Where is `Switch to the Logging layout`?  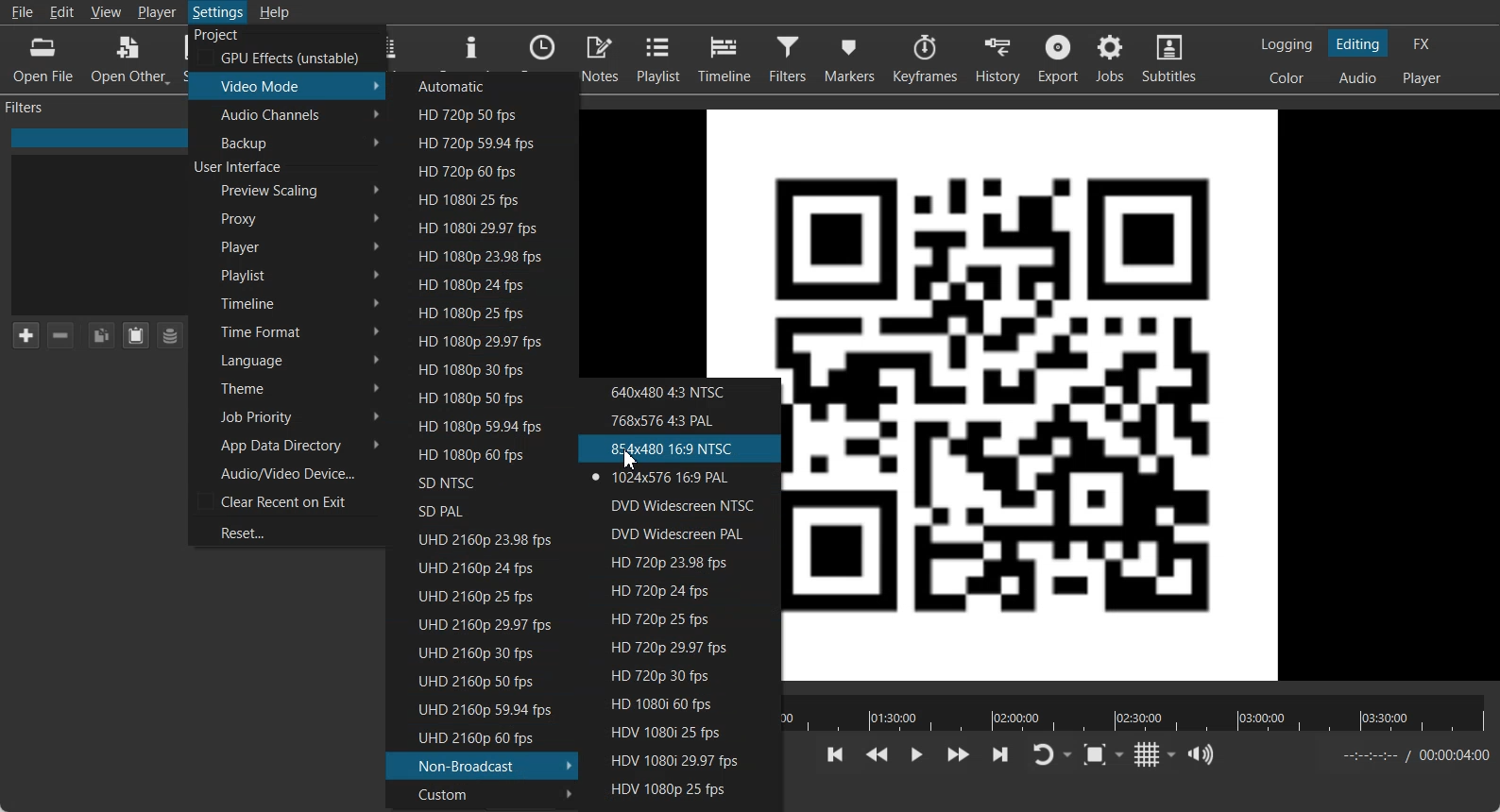
Switch to the Logging layout is located at coordinates (1287, 44).